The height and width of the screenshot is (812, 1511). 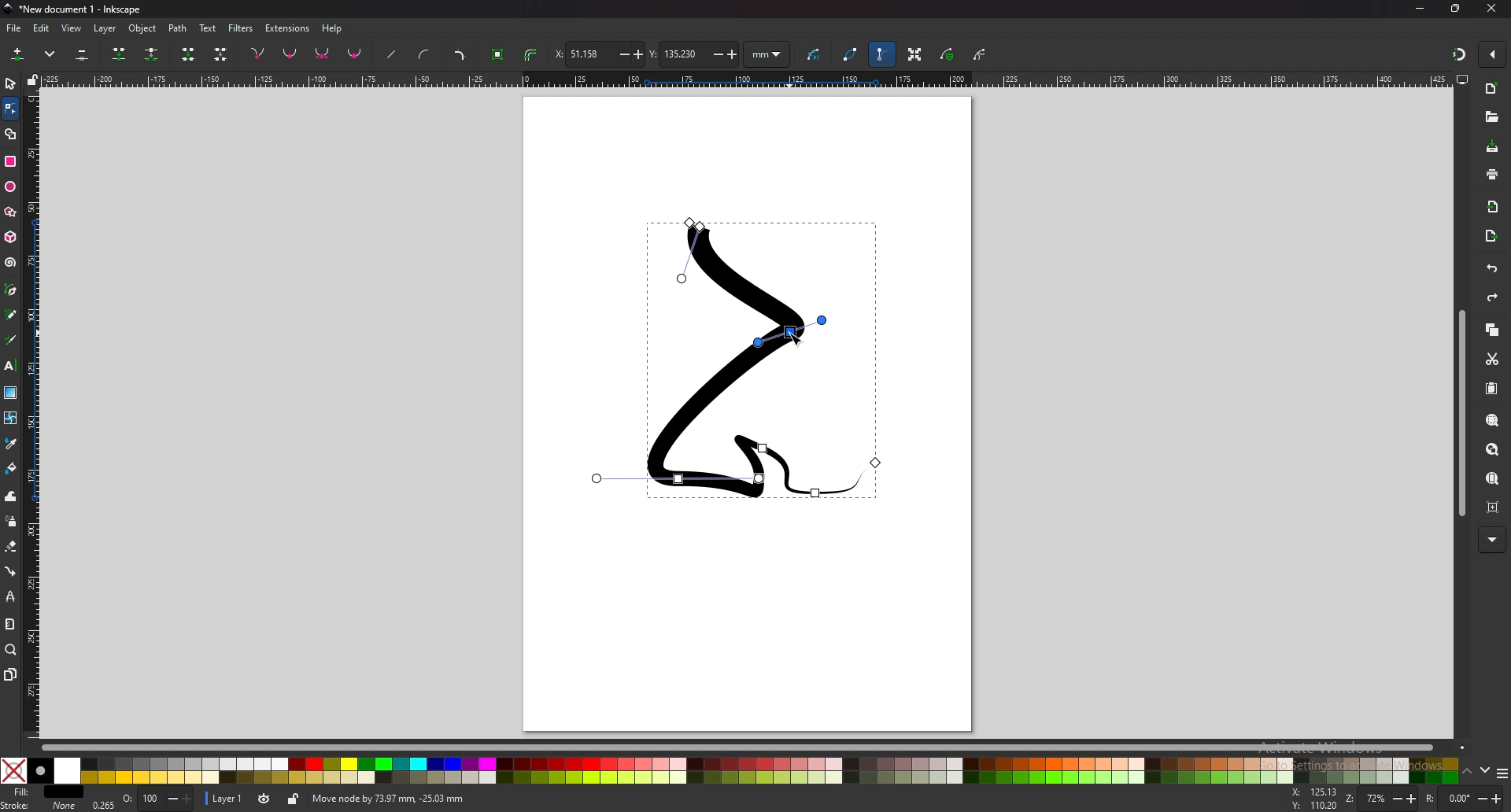 I want to click on copy, so click(x=1492, y=330).